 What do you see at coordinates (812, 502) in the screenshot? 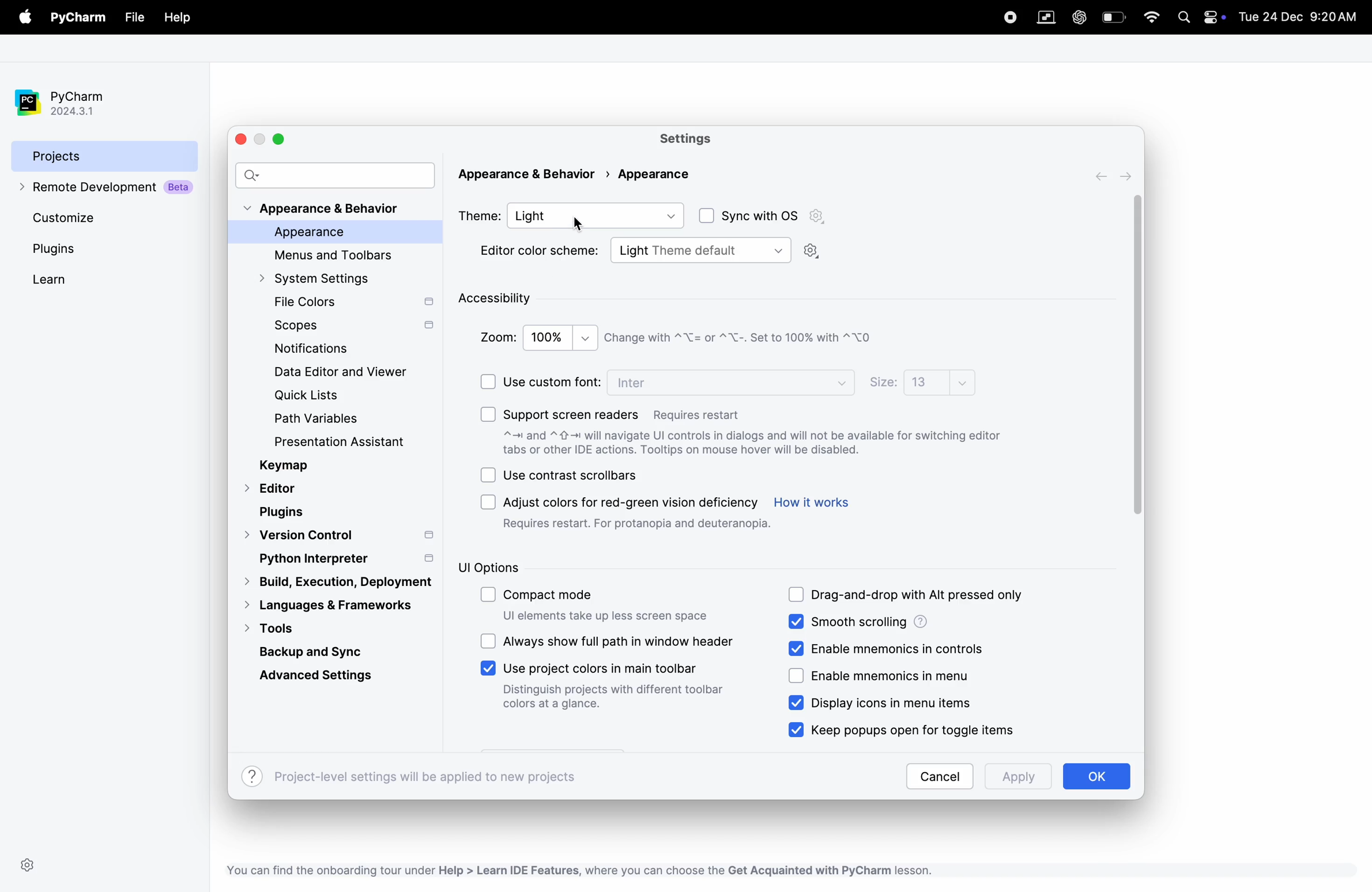
I see `how it works` at bounding box center [812, 502].